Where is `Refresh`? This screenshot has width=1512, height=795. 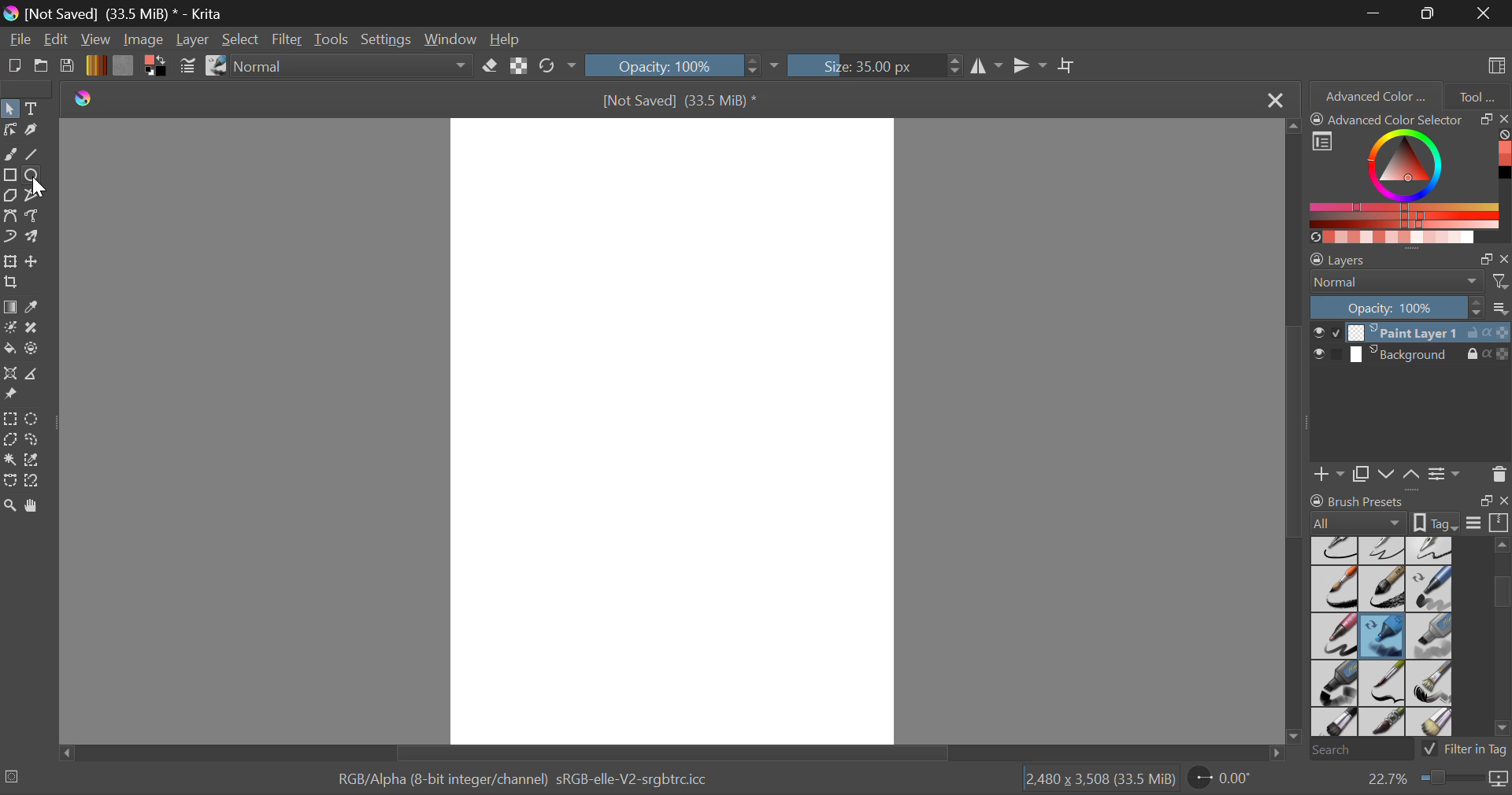
Refresh is located at coordinates (551, 67).